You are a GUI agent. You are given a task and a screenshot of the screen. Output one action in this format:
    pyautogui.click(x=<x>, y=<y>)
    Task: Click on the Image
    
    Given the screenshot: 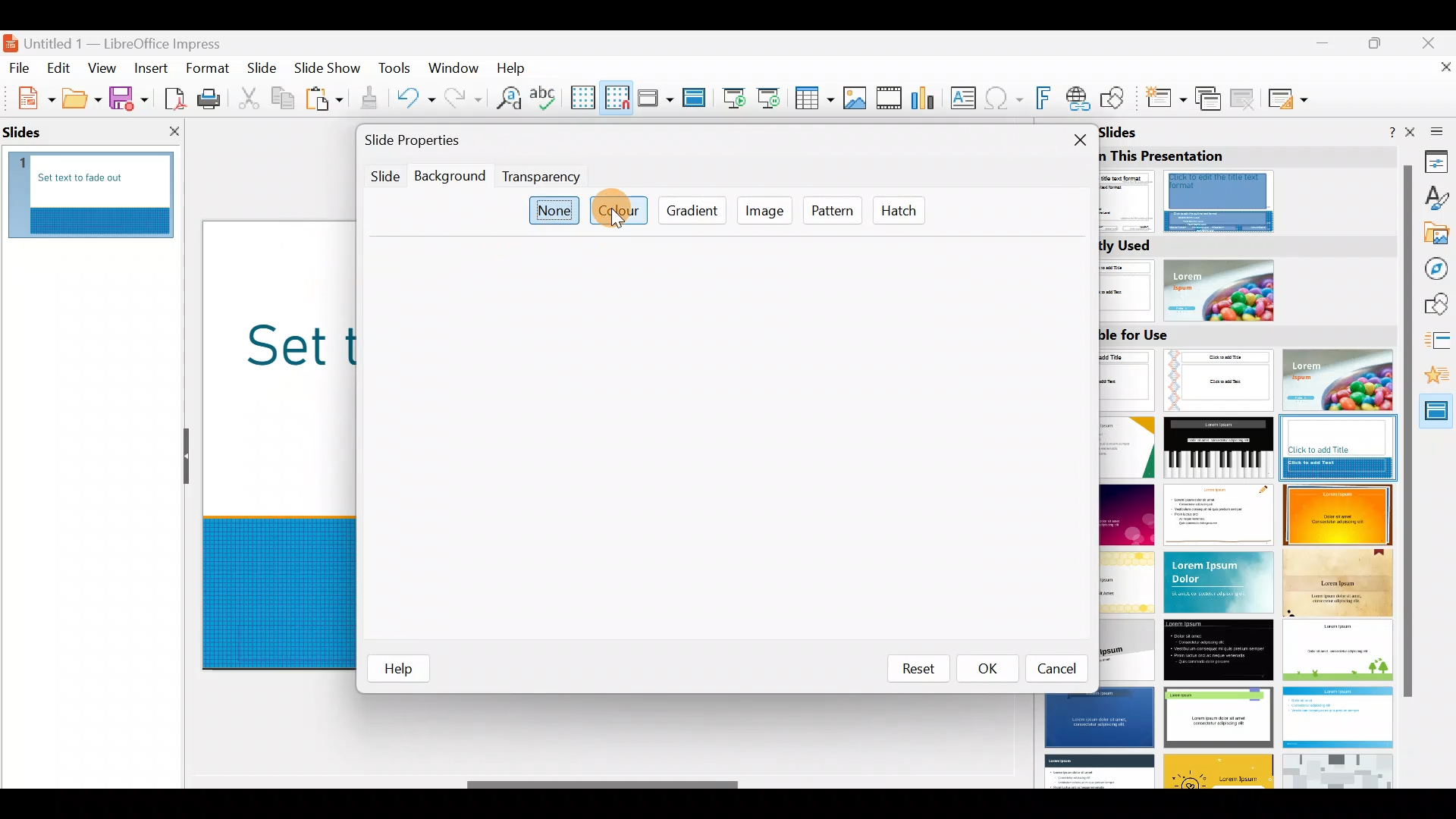 What is the action you would take?
    pyautogui.click(x=767, y=214)
    